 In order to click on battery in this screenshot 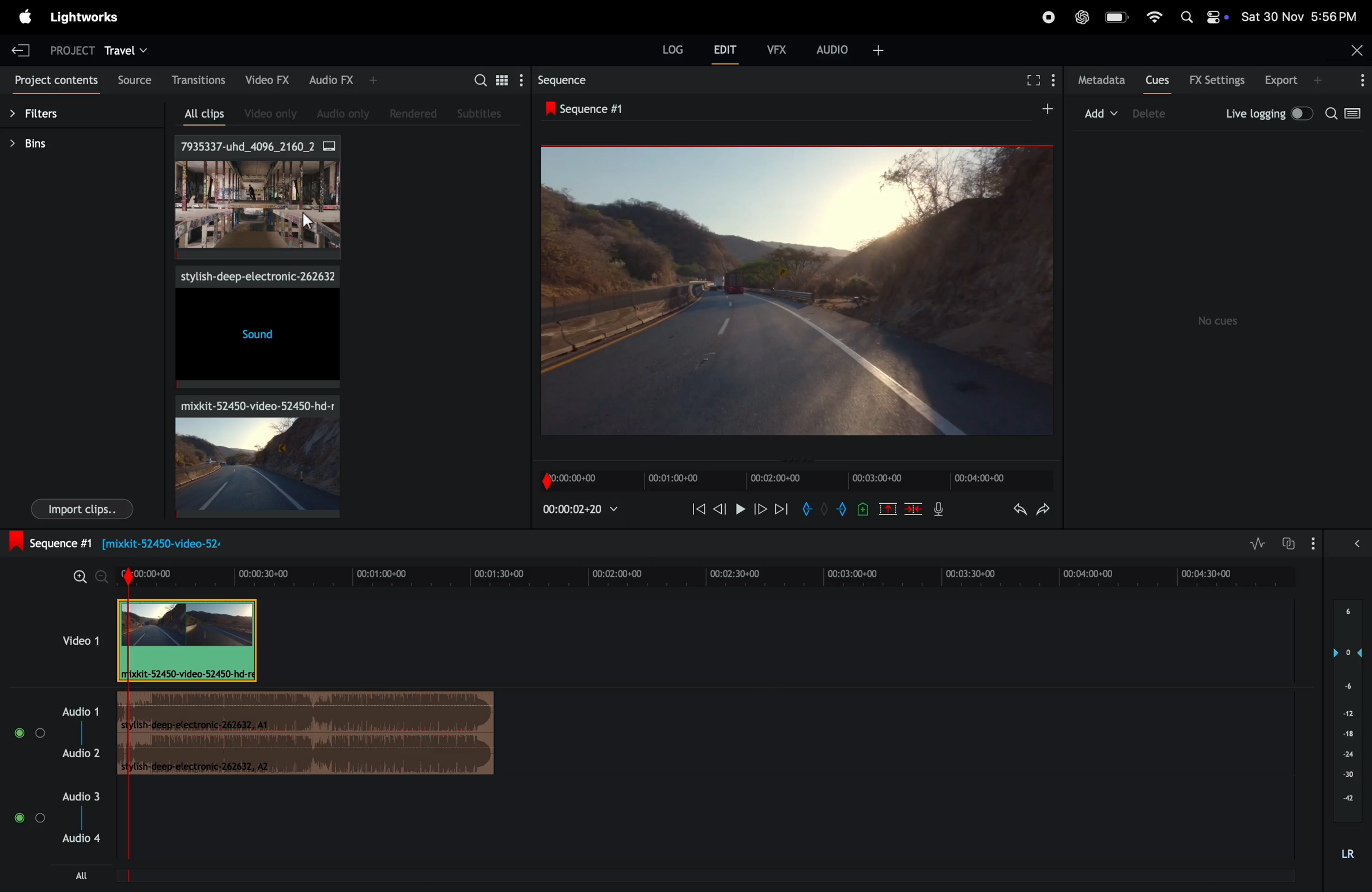, I will do `click(1118, 18)`.